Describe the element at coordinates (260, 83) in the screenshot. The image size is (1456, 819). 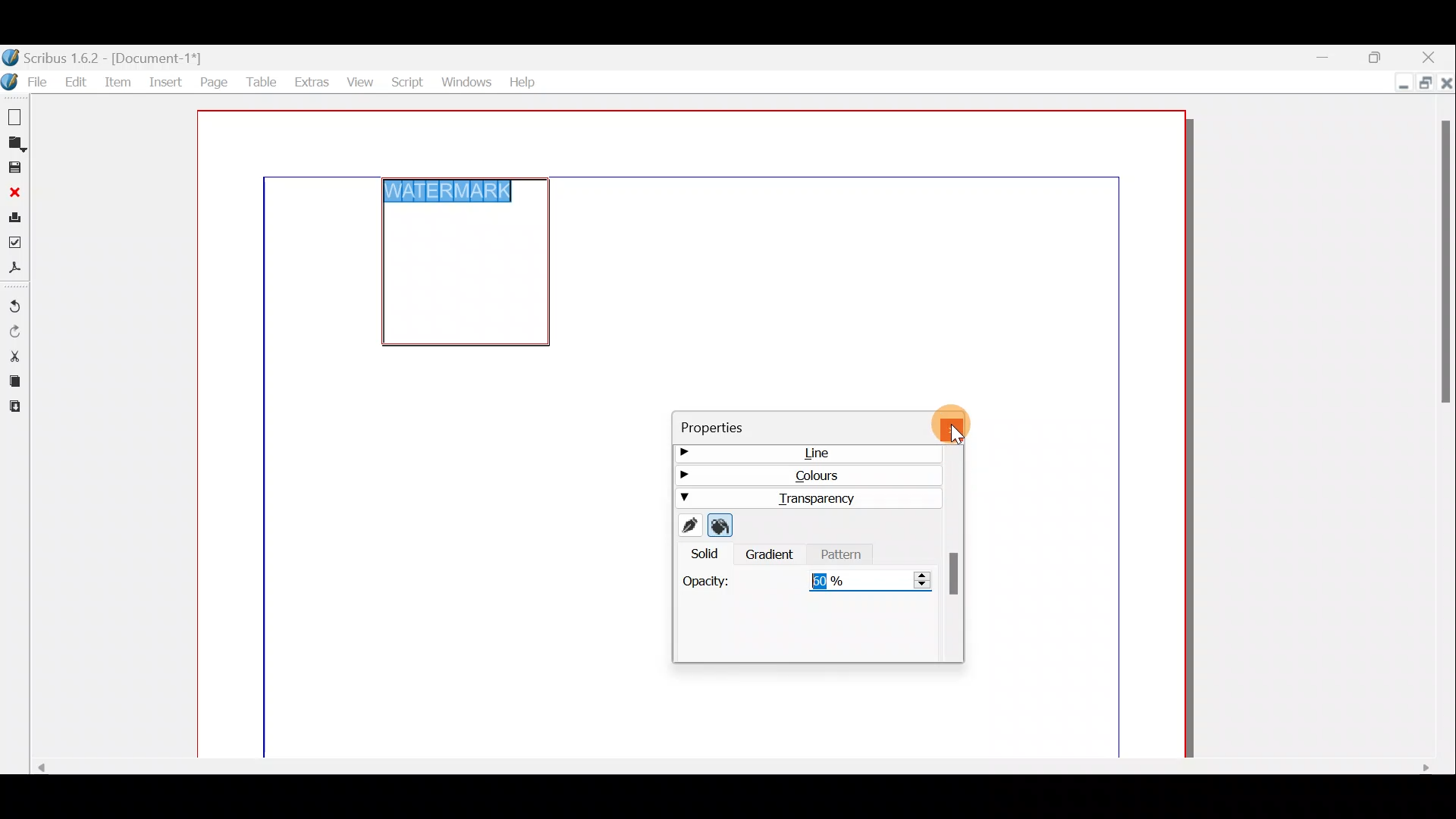
I see `Table` at that location.